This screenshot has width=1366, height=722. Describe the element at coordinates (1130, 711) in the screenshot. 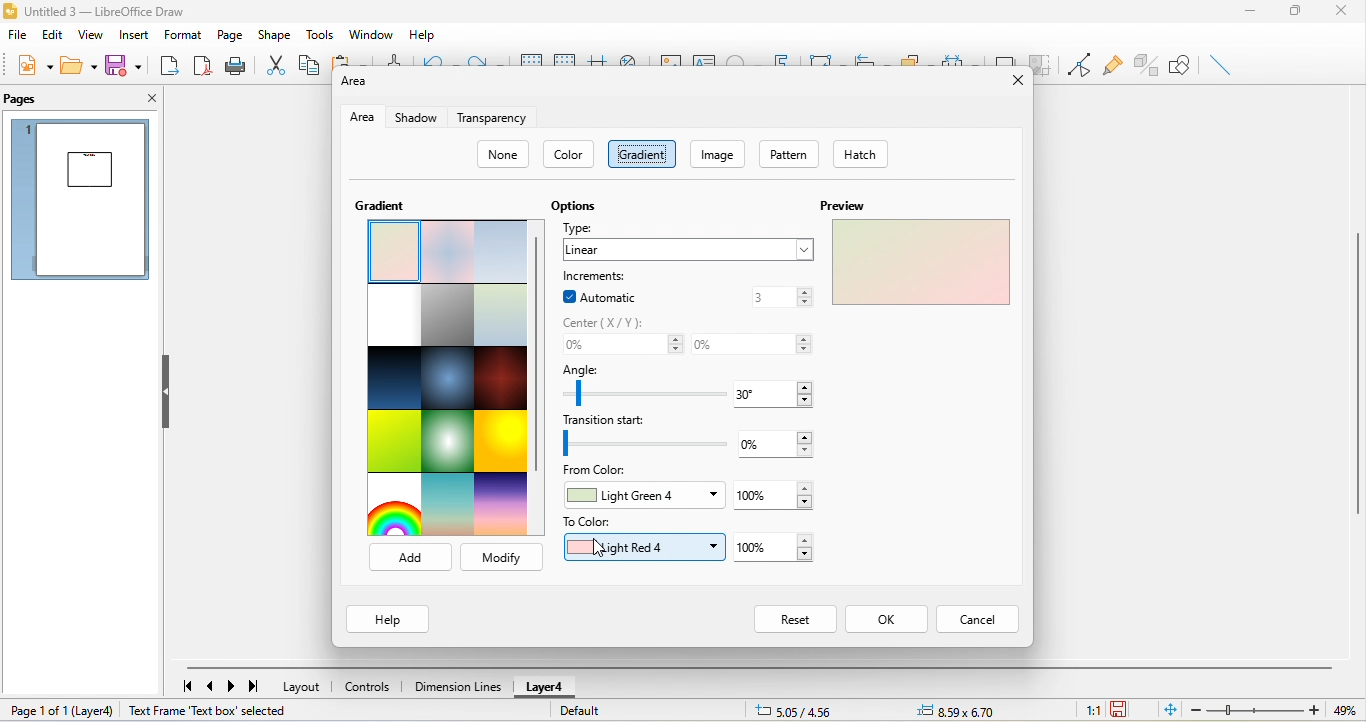

I see `the document has not been modified since the last save` at that location.